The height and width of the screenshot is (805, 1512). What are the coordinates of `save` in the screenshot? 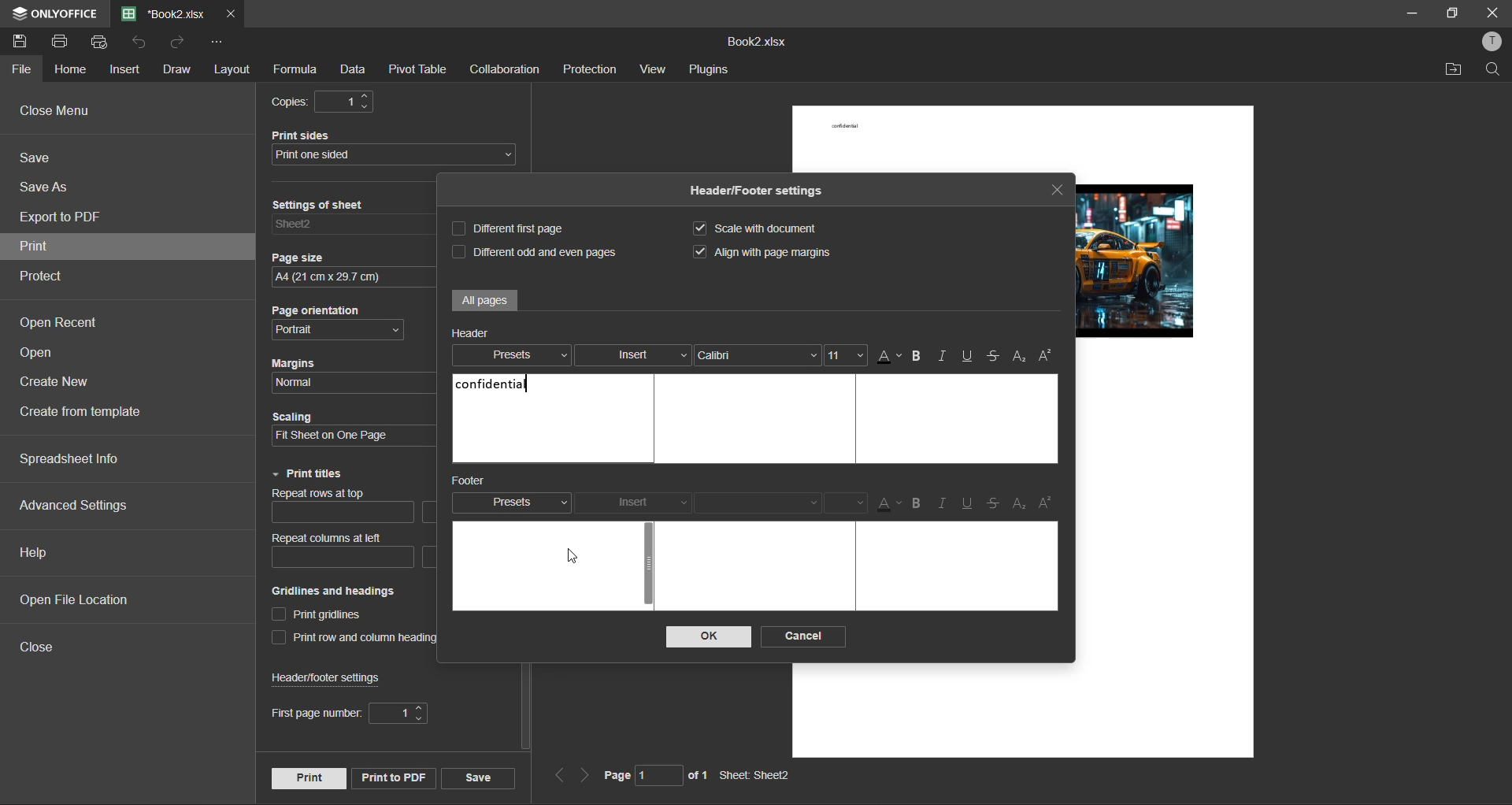 It's located at (21, 42).